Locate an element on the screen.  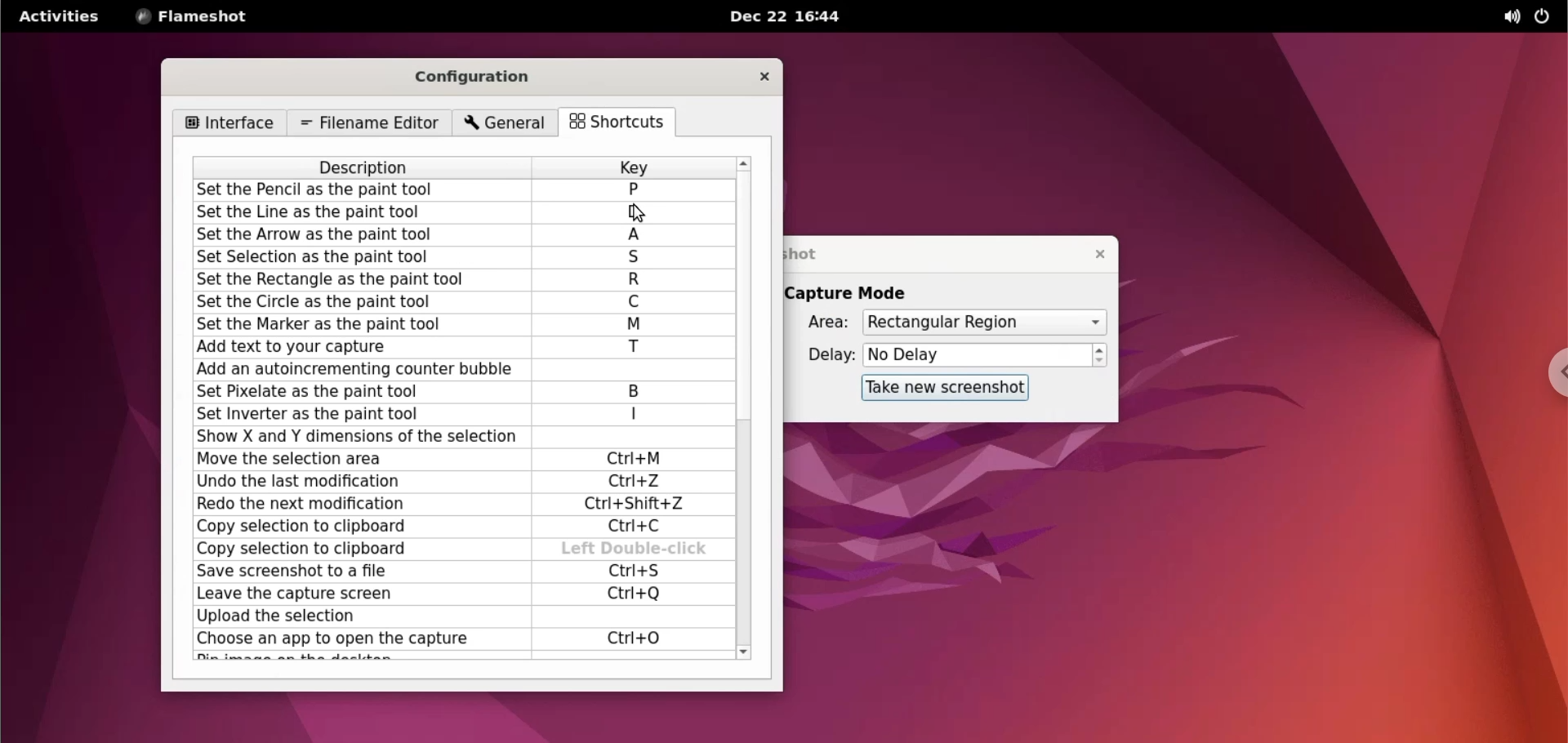
set the rectangle as the paint tool is located at coordinates (357, 280).